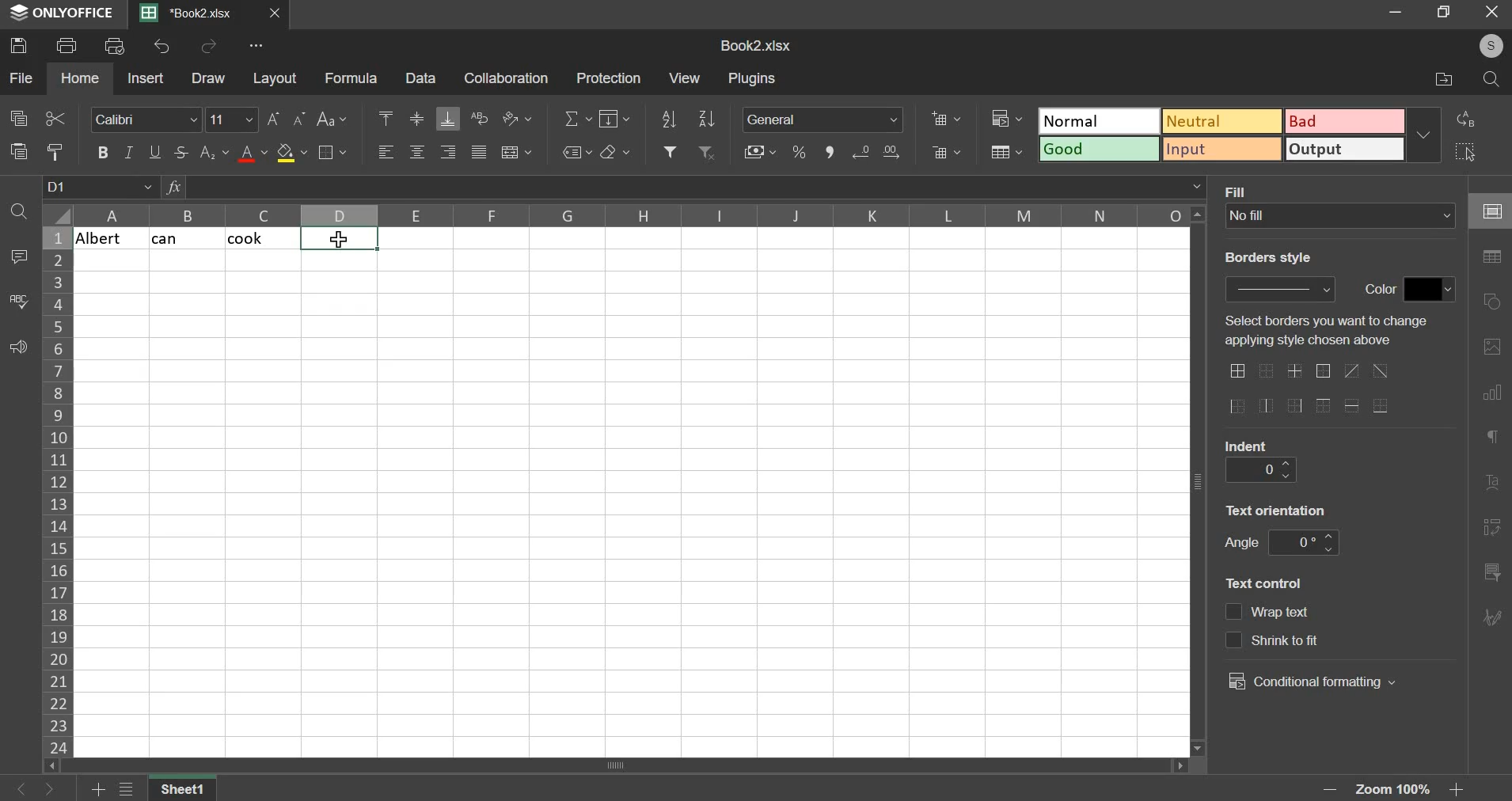 The width and height of the screenshot is (1512, 801). What do you see at coordinates (1482, 44) in the screenshot?
I see `user's account` at bounding box center [1482, 44].